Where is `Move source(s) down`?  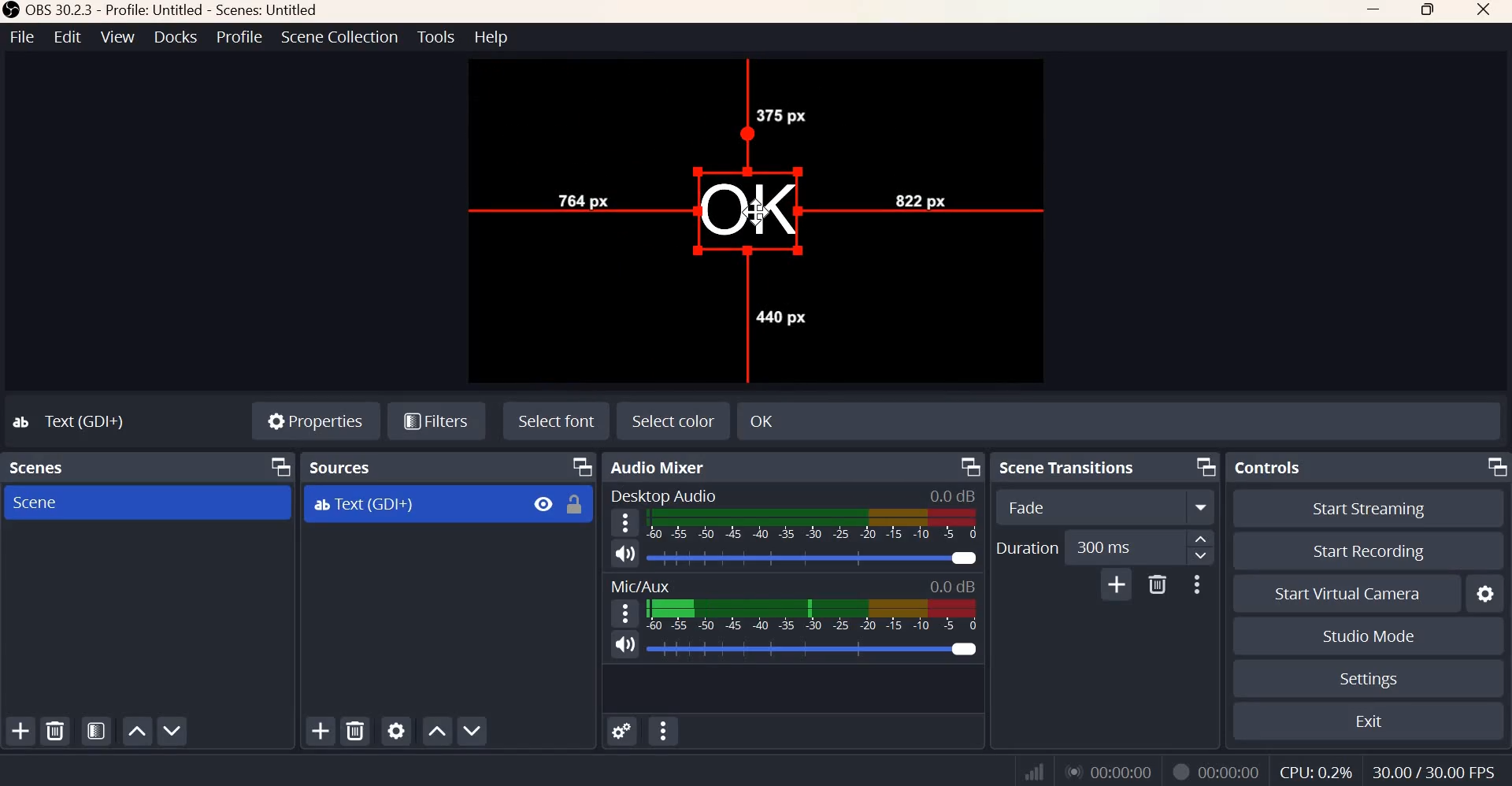
Move source(s) down is located at coordinates (471, 730).